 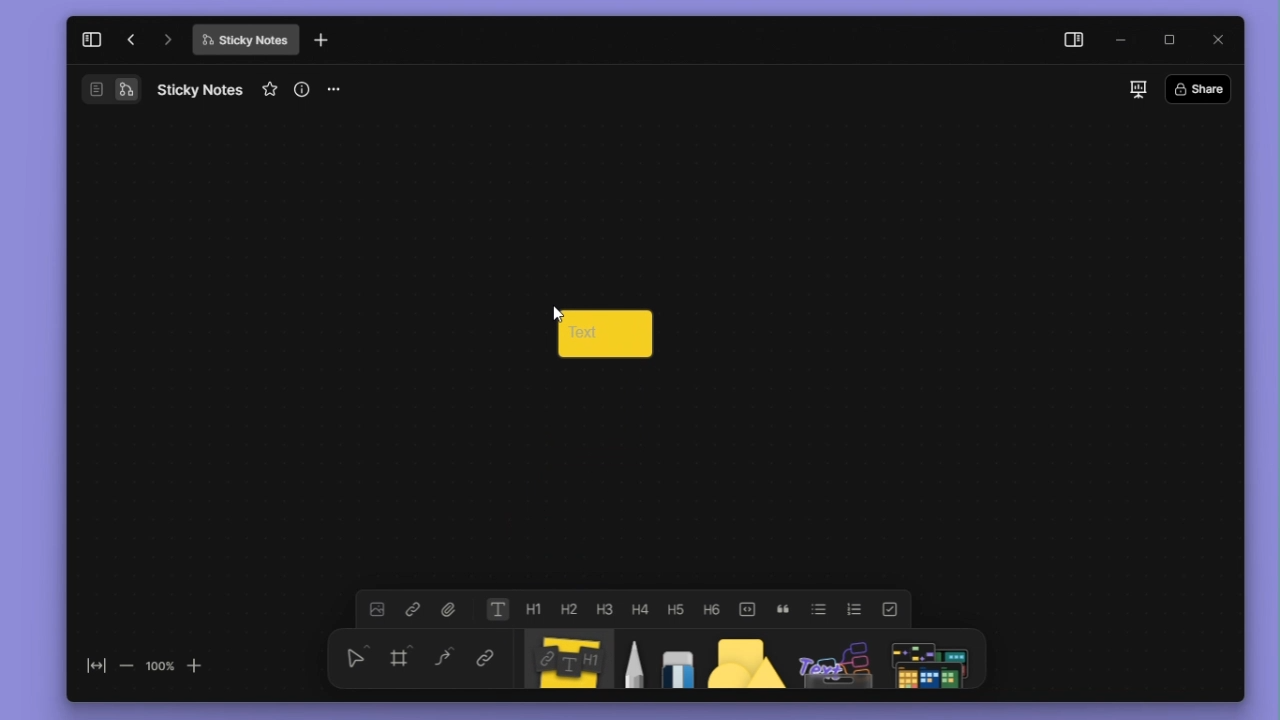 I want to click on Flowchart, so click(x=129, y=90).